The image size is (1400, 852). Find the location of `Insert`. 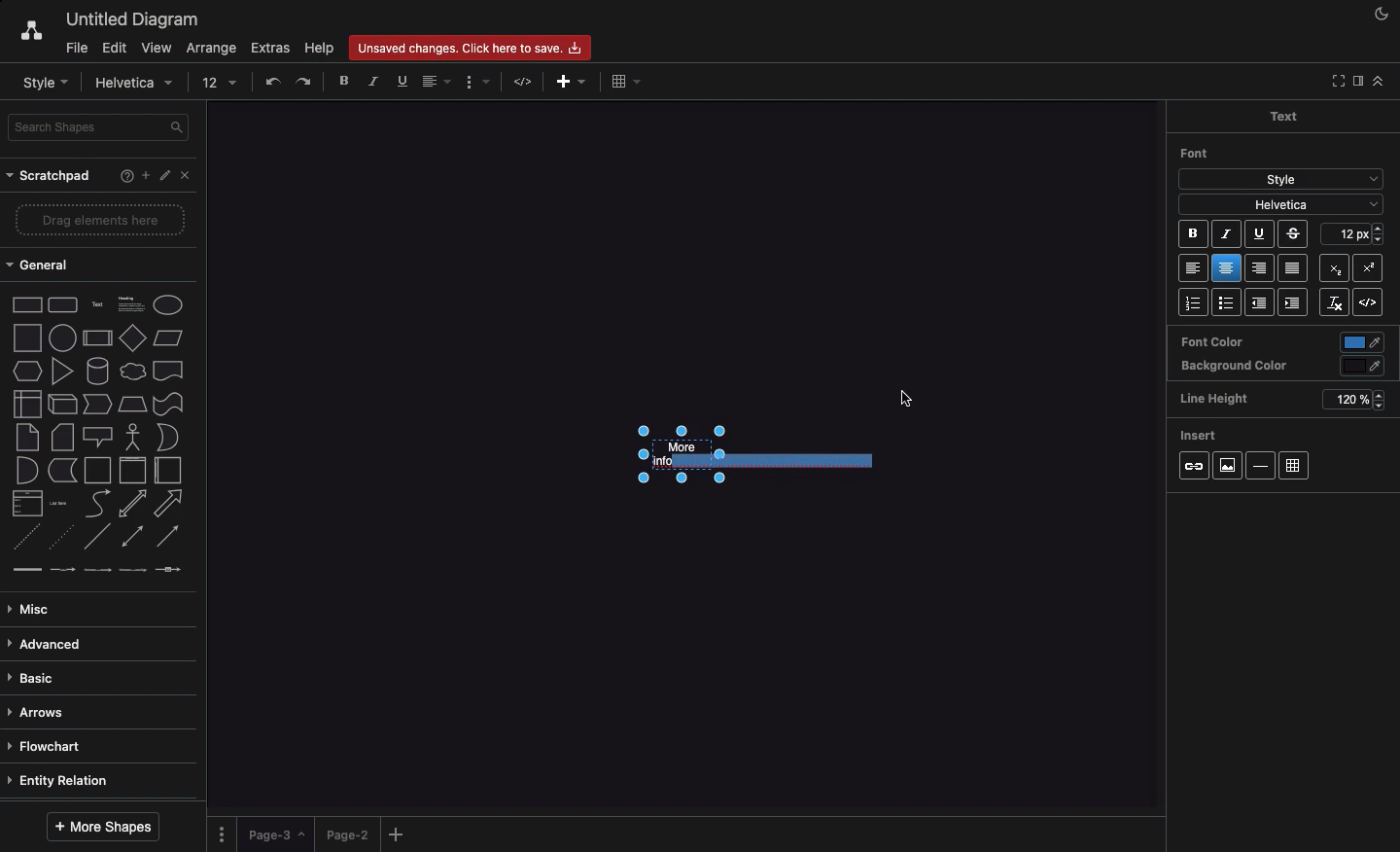

Insert is located at coordinates (1200, 432).